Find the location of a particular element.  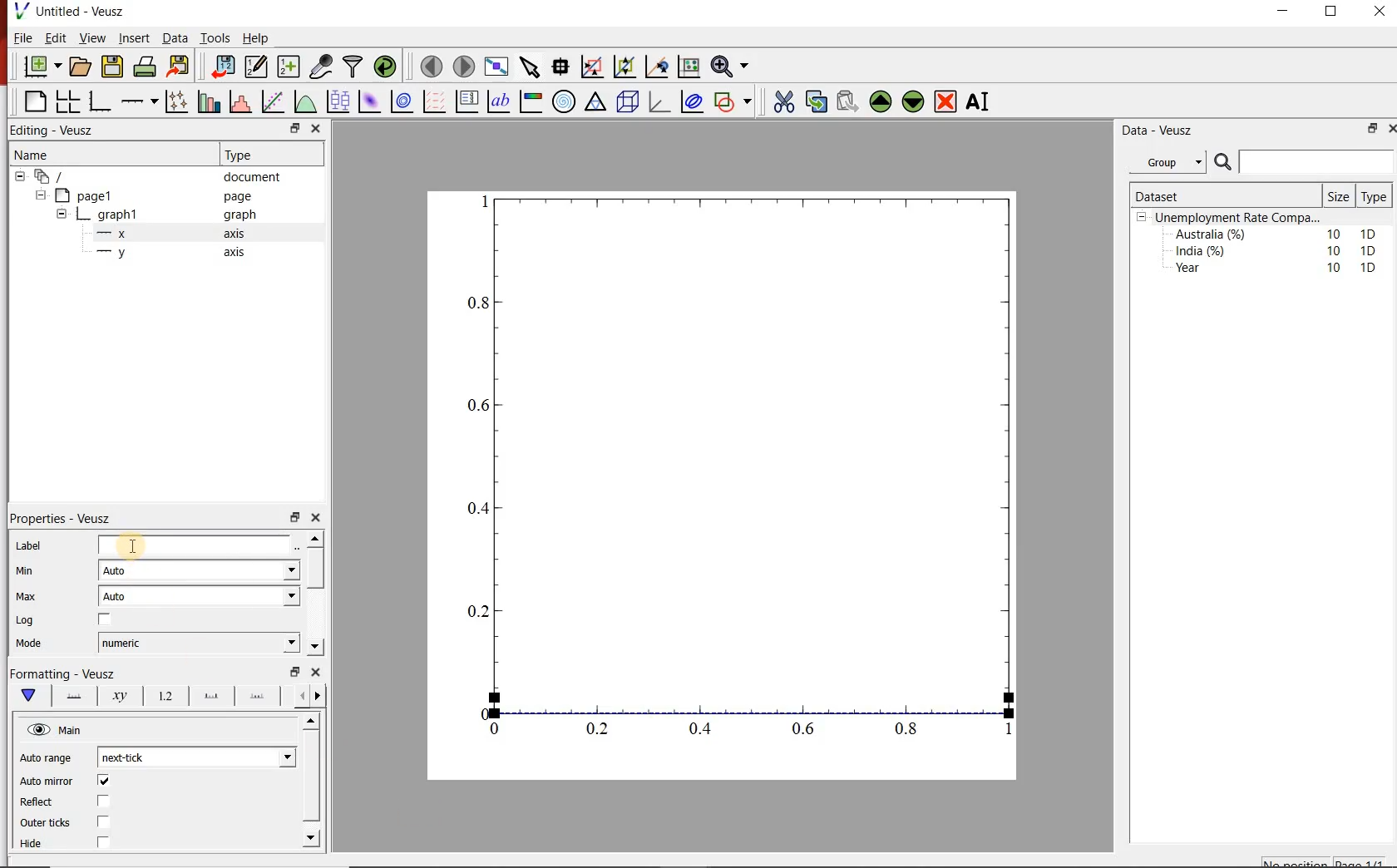

checkbox is located at coordinates (106, 782).